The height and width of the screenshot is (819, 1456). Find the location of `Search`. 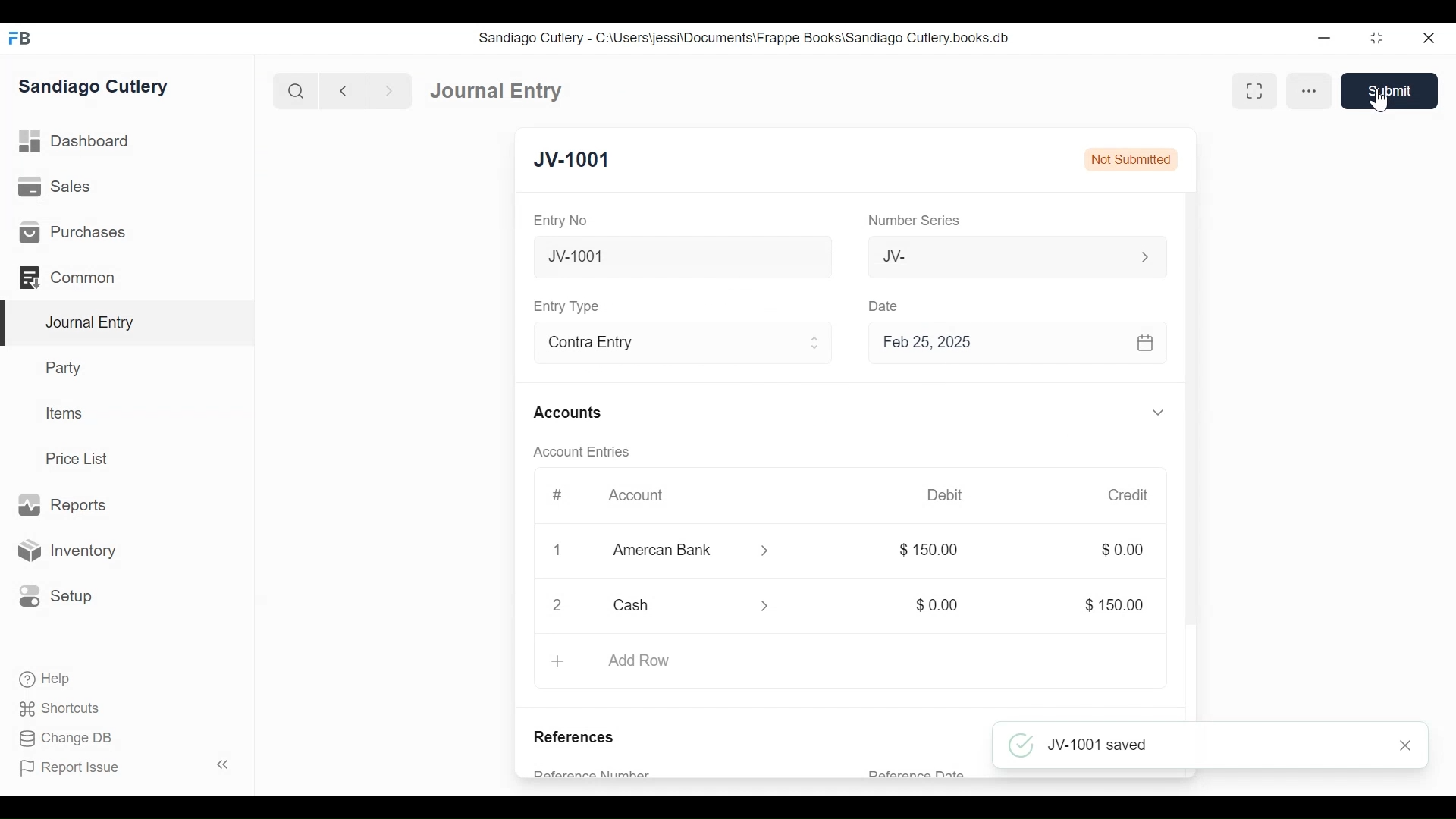

Search is located at coordinates (297, 91).